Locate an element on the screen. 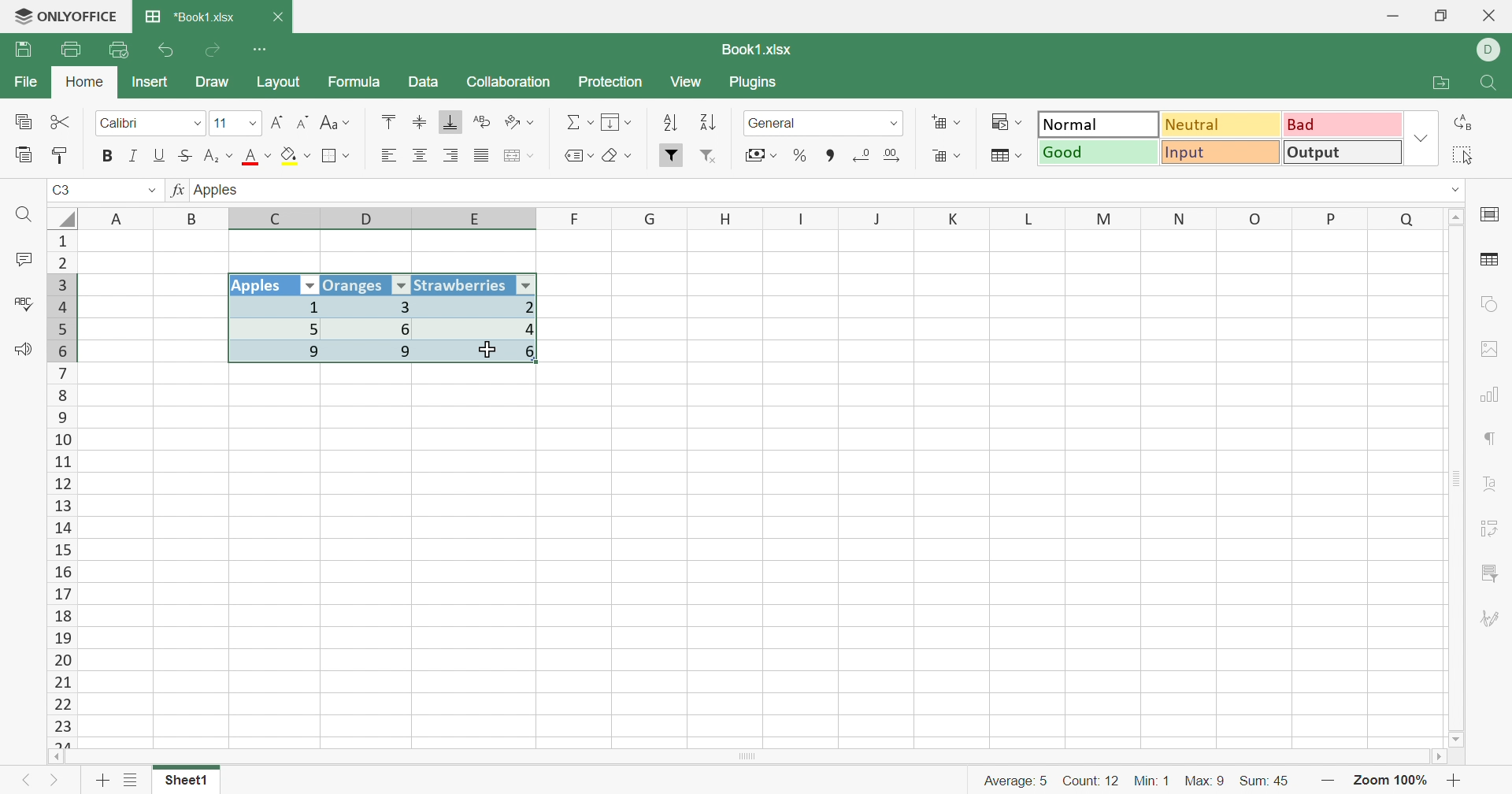 The image size is (1512, 794). Average: 5 is located at coordinates (1008, 779).